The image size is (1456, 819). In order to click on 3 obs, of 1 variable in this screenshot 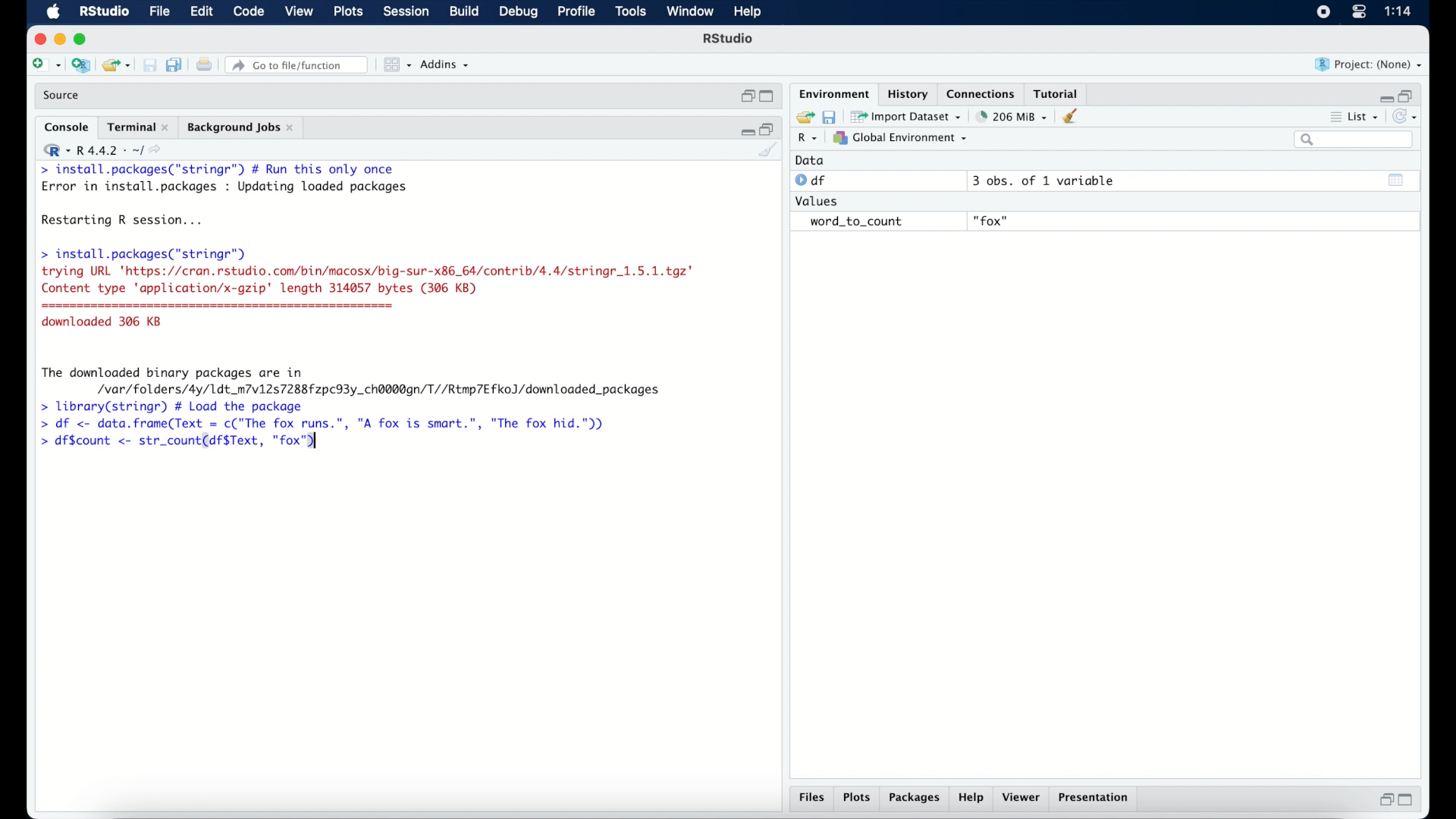, I will do `click(1050, 180)`.